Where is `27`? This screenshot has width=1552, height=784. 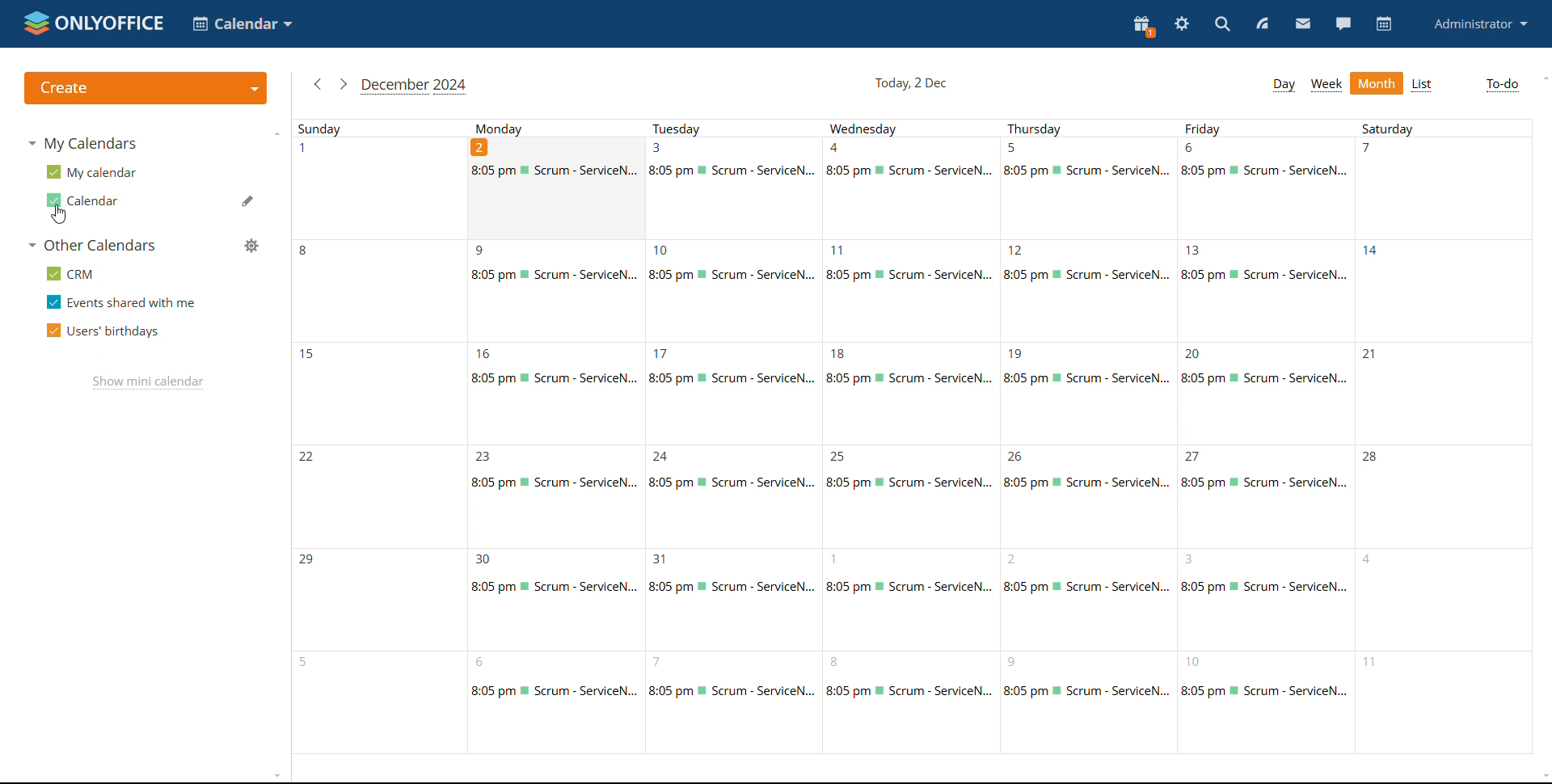 27 is located at coordinates (1264, 498).